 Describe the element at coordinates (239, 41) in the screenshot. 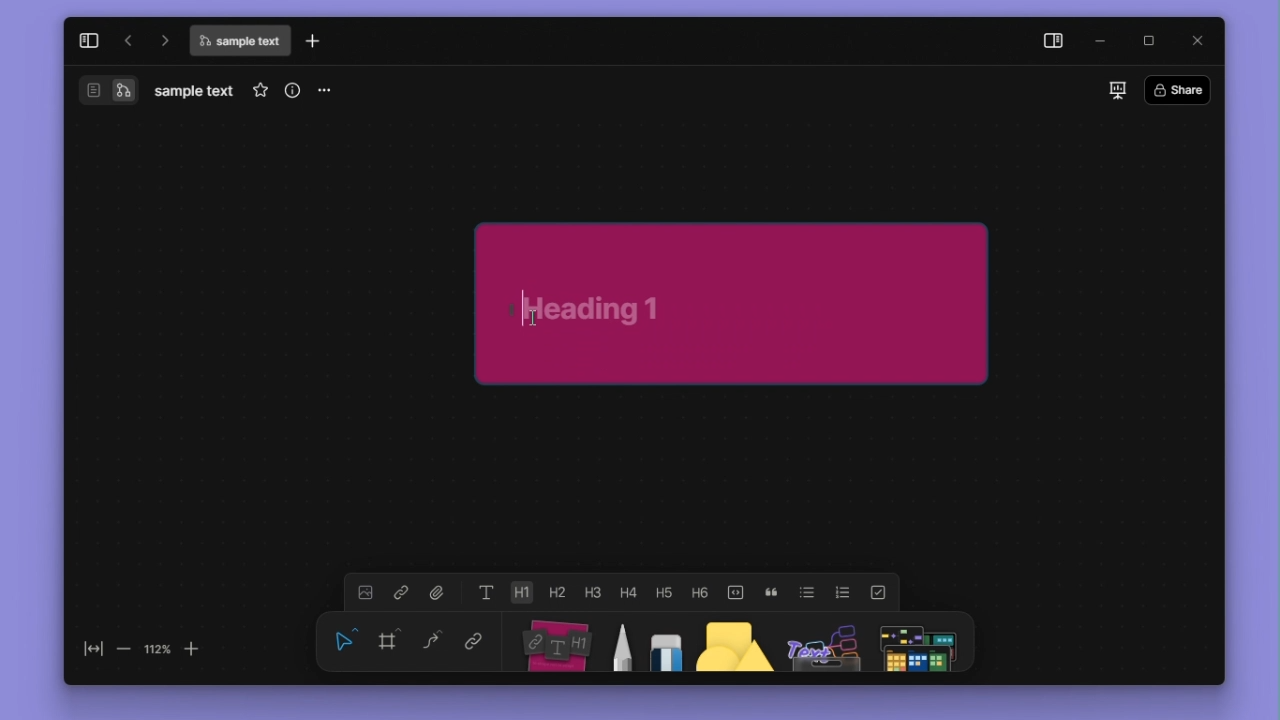

I see `file name` at that location.